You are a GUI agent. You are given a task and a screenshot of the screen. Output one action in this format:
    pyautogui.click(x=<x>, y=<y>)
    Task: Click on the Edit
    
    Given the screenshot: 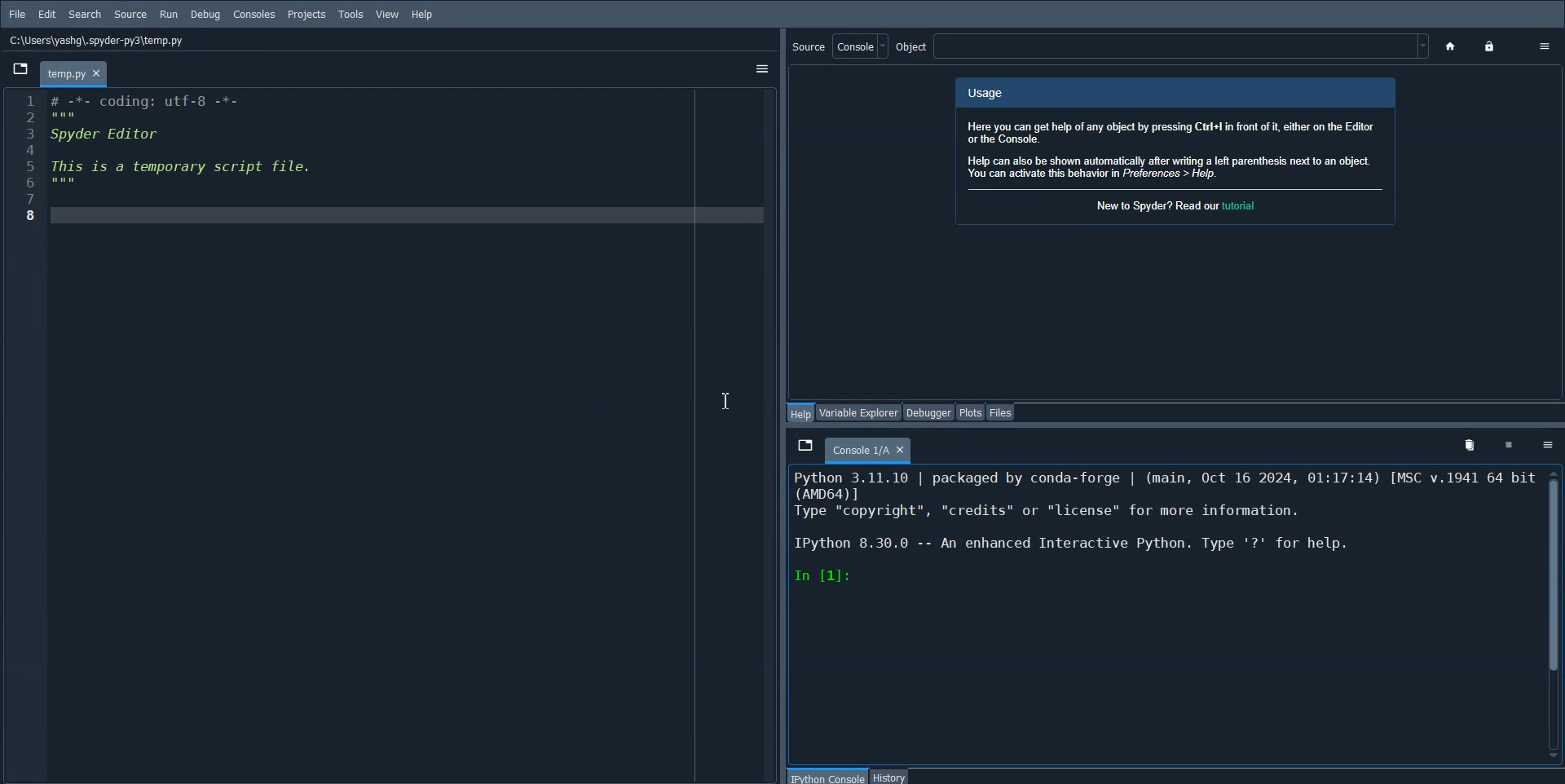 What is the action you would take?
    pyautogui.click(x=47, y=14)
    